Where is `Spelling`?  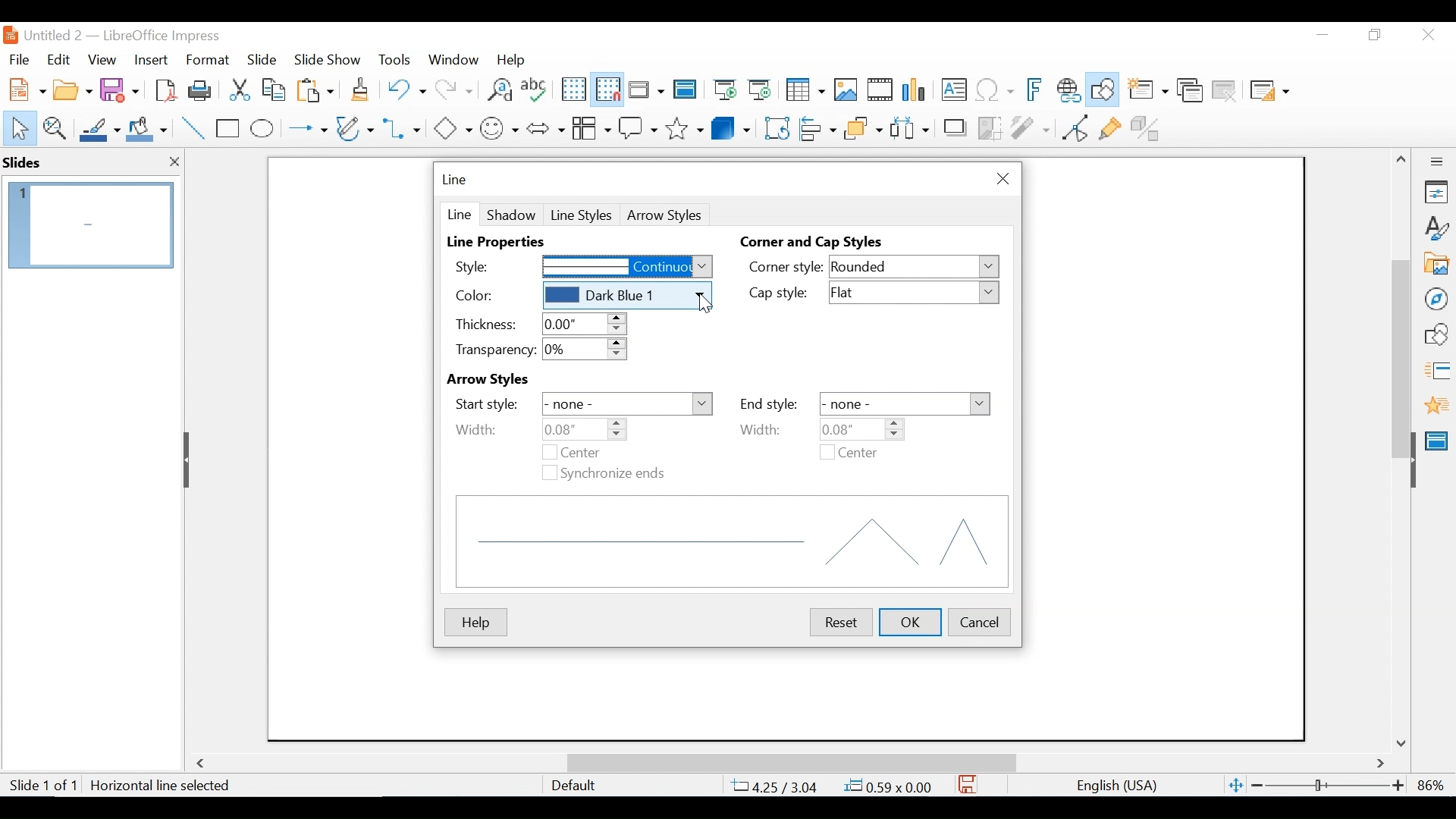
Spelling is located at coordinates (536, 89).